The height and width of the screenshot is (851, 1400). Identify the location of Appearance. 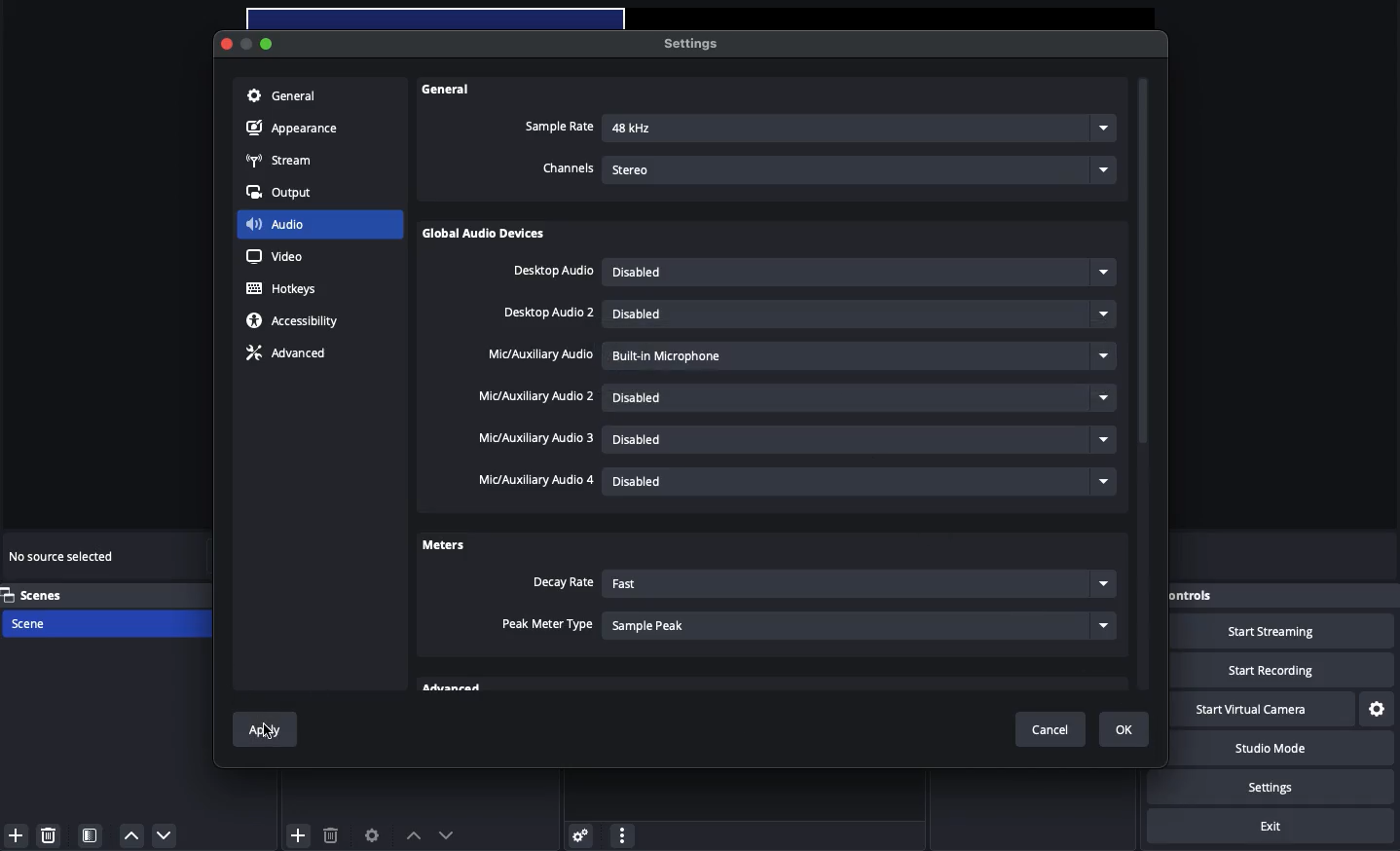
(295, 129).